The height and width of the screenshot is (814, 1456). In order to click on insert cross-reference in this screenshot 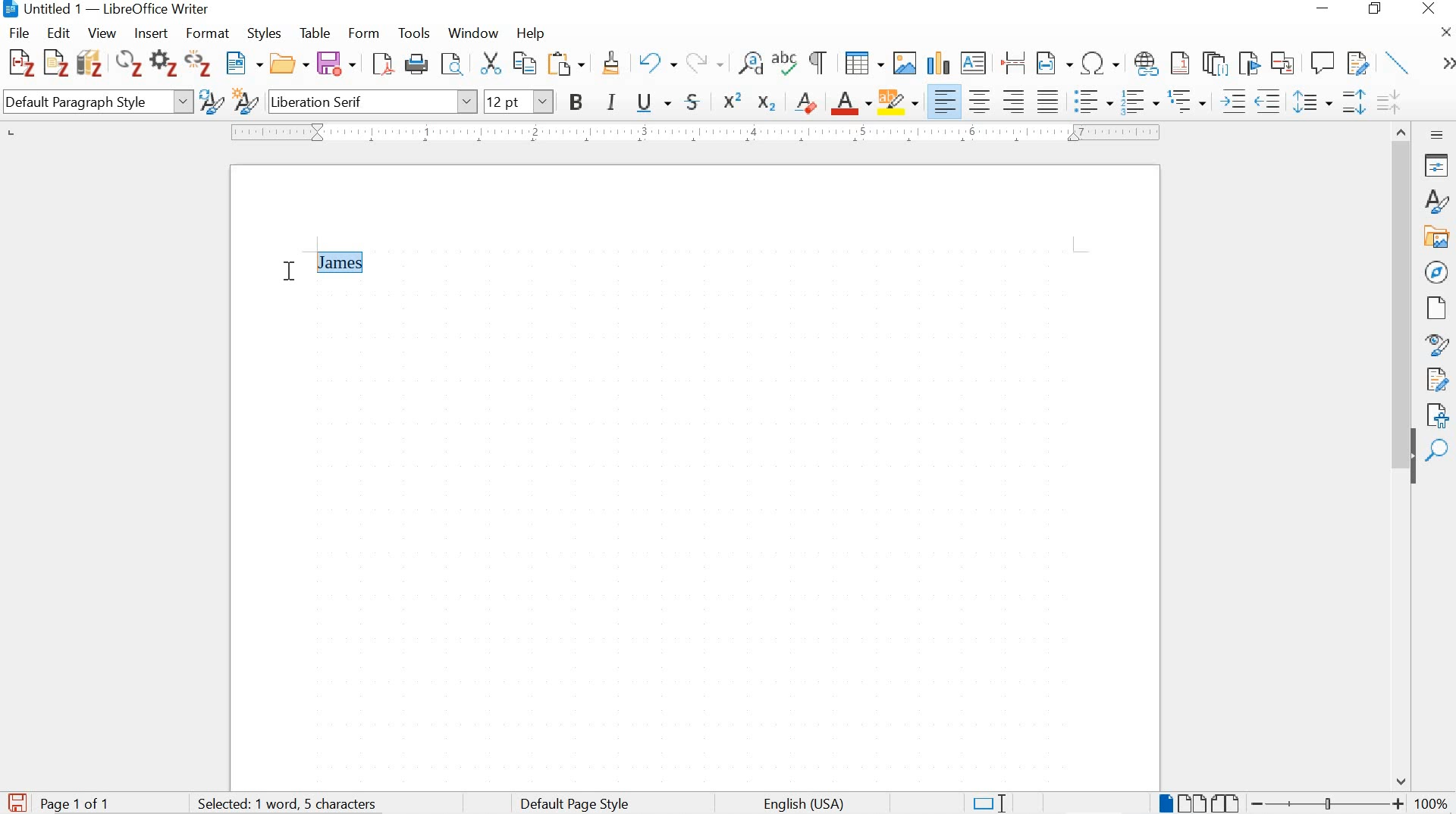, I will do `click(1284, 62)`.